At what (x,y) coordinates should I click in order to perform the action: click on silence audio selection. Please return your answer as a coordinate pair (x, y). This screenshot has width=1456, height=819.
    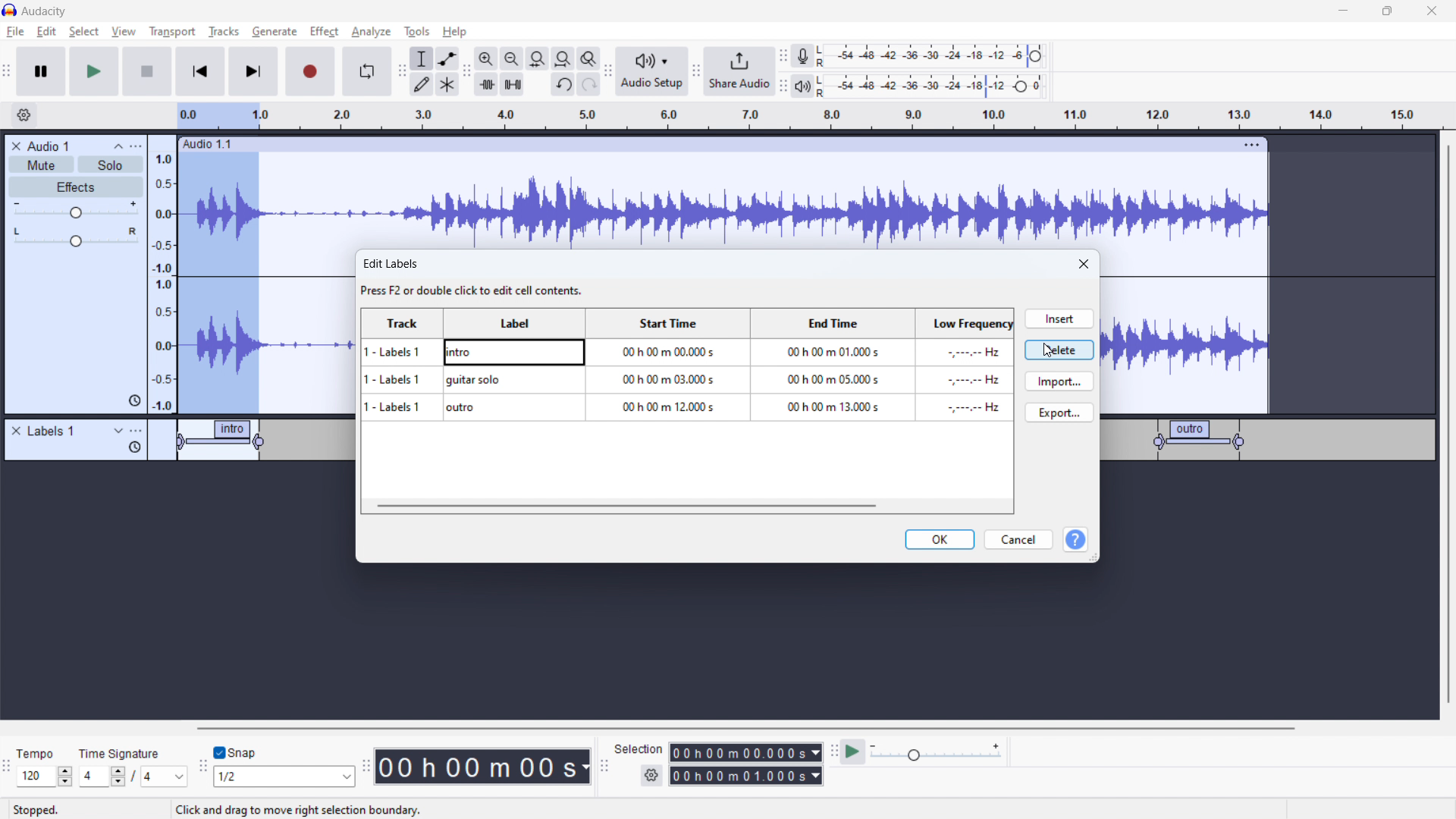
    Looking at the image, I should click on (513, 84).